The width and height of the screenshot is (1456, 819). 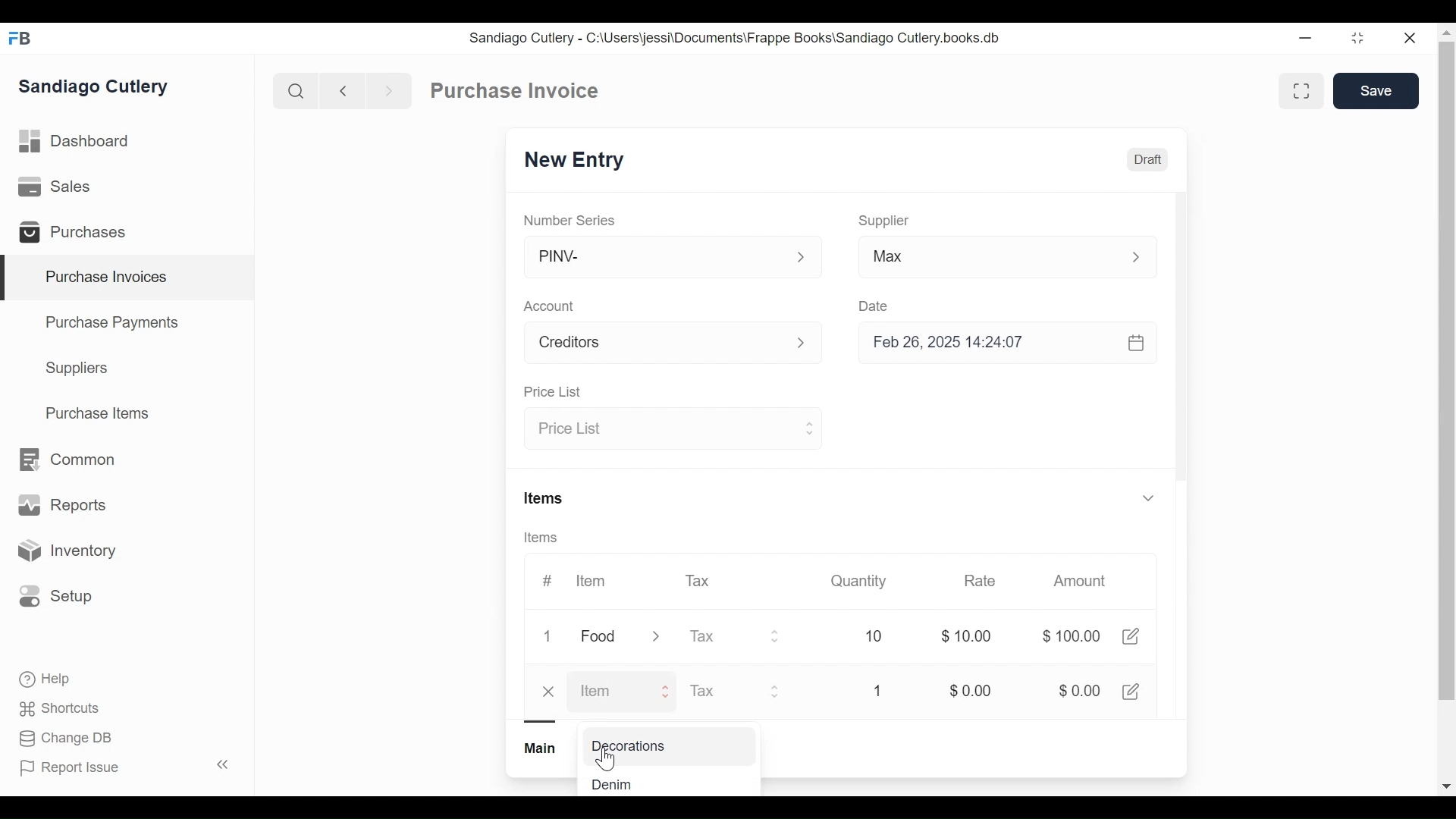 I want to click on Item, so click(x=607, y=690).